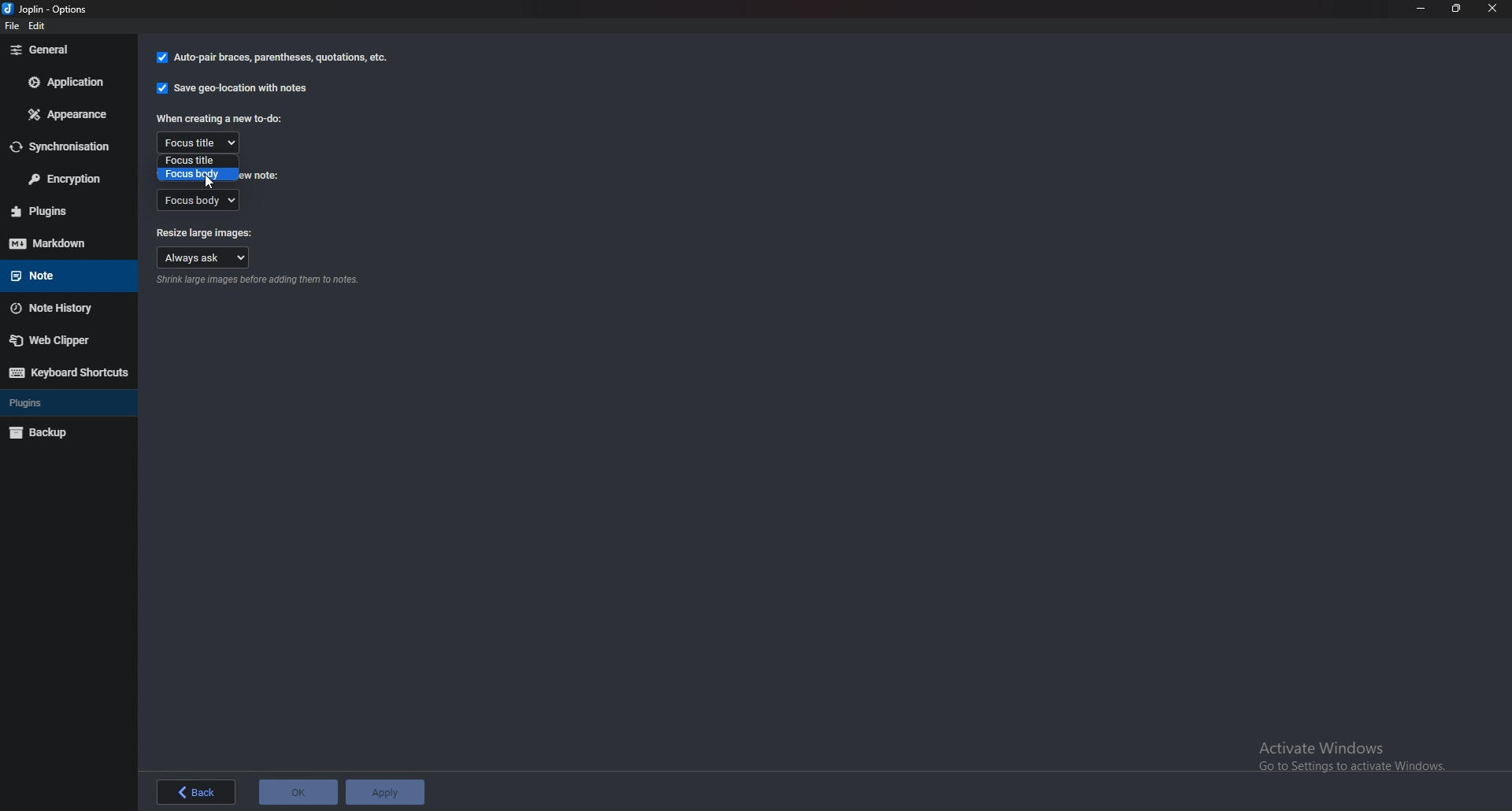 The height and width of the screenshot is (811, 1512). Describe the element at coordinates (63, 341) in the screenshot. I see `Web Clipper` at that location.